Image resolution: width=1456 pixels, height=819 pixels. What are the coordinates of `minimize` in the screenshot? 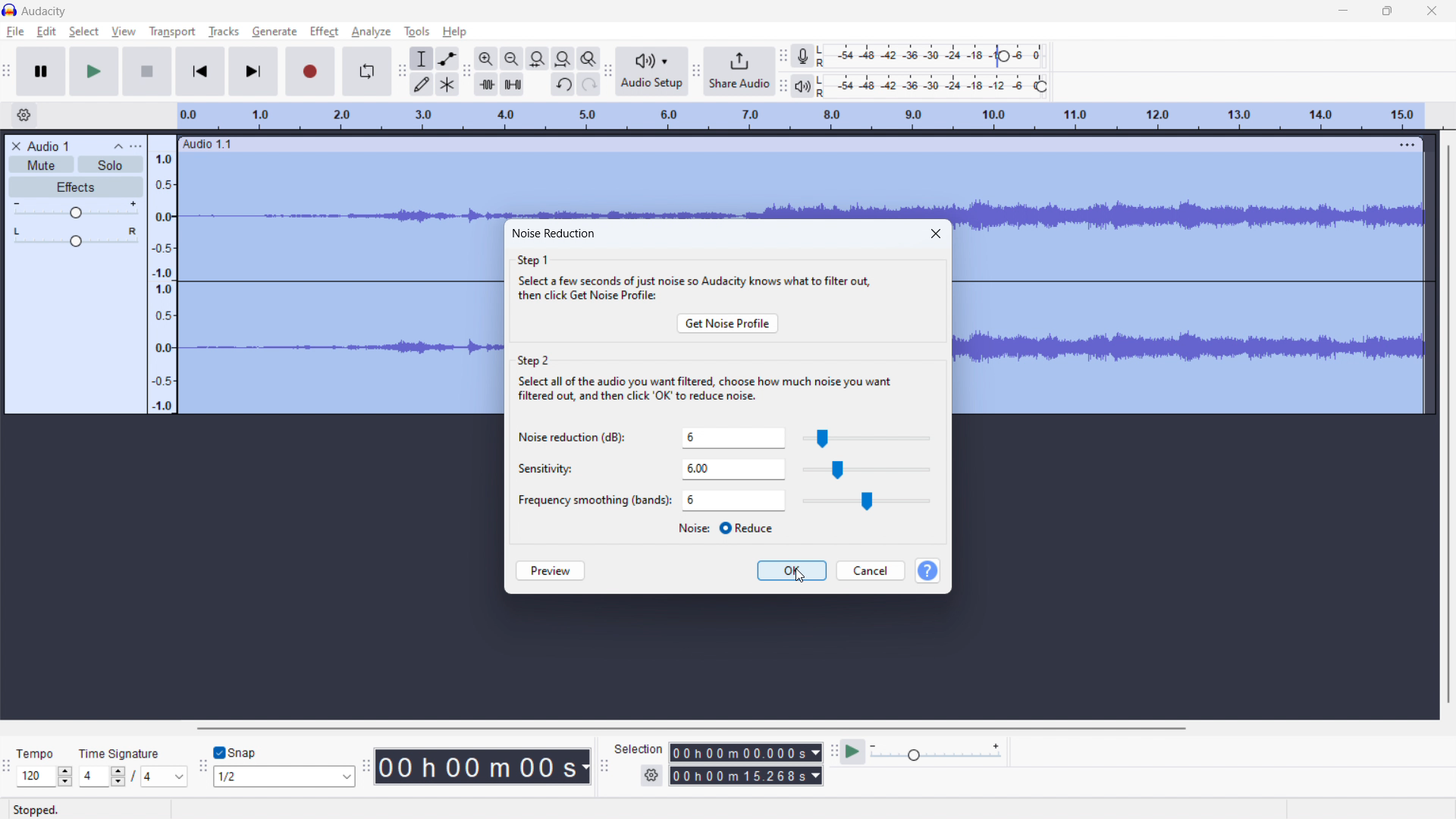 It's located at (1344, 13).